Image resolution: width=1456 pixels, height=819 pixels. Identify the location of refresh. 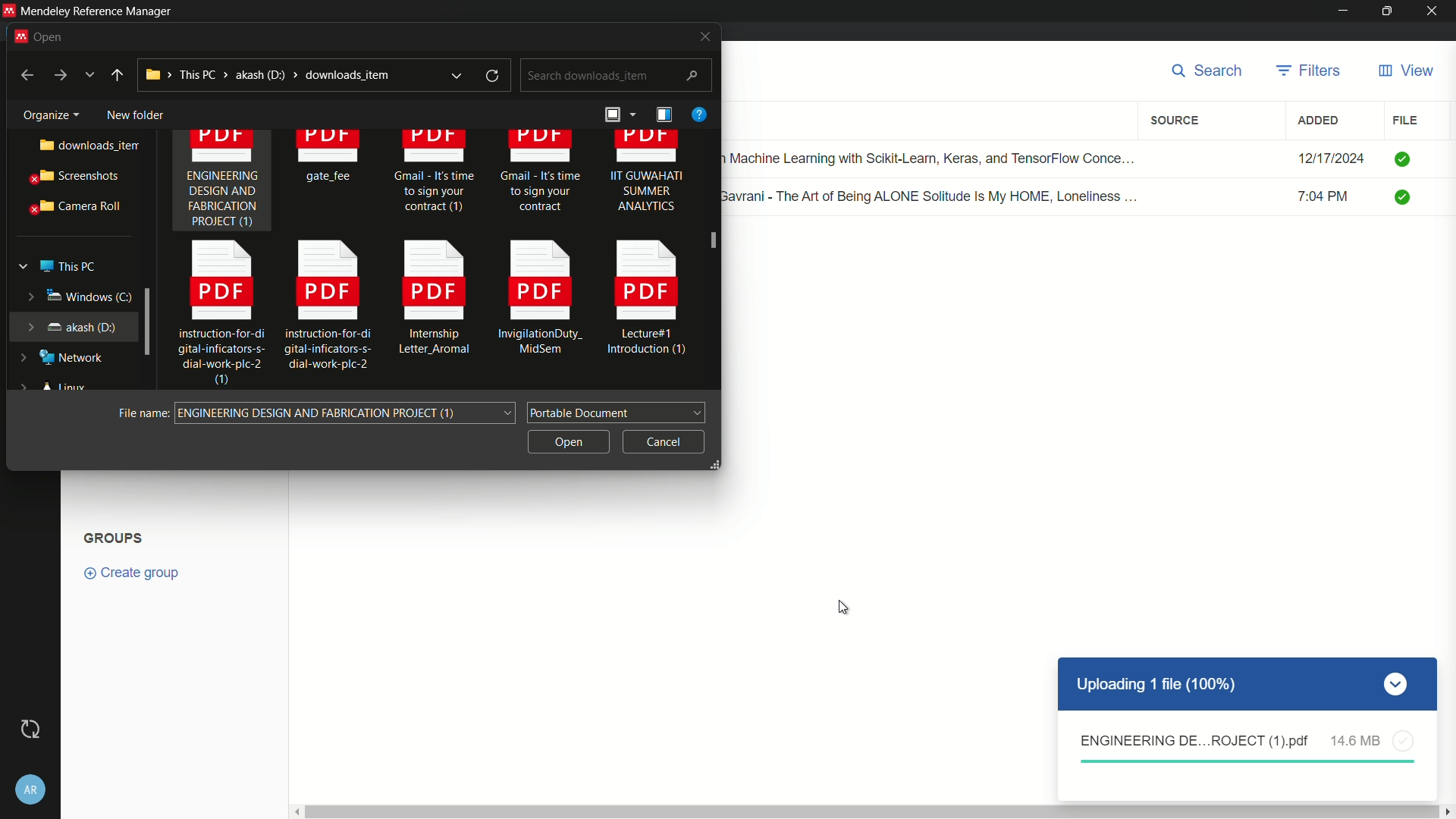
(494, 76).